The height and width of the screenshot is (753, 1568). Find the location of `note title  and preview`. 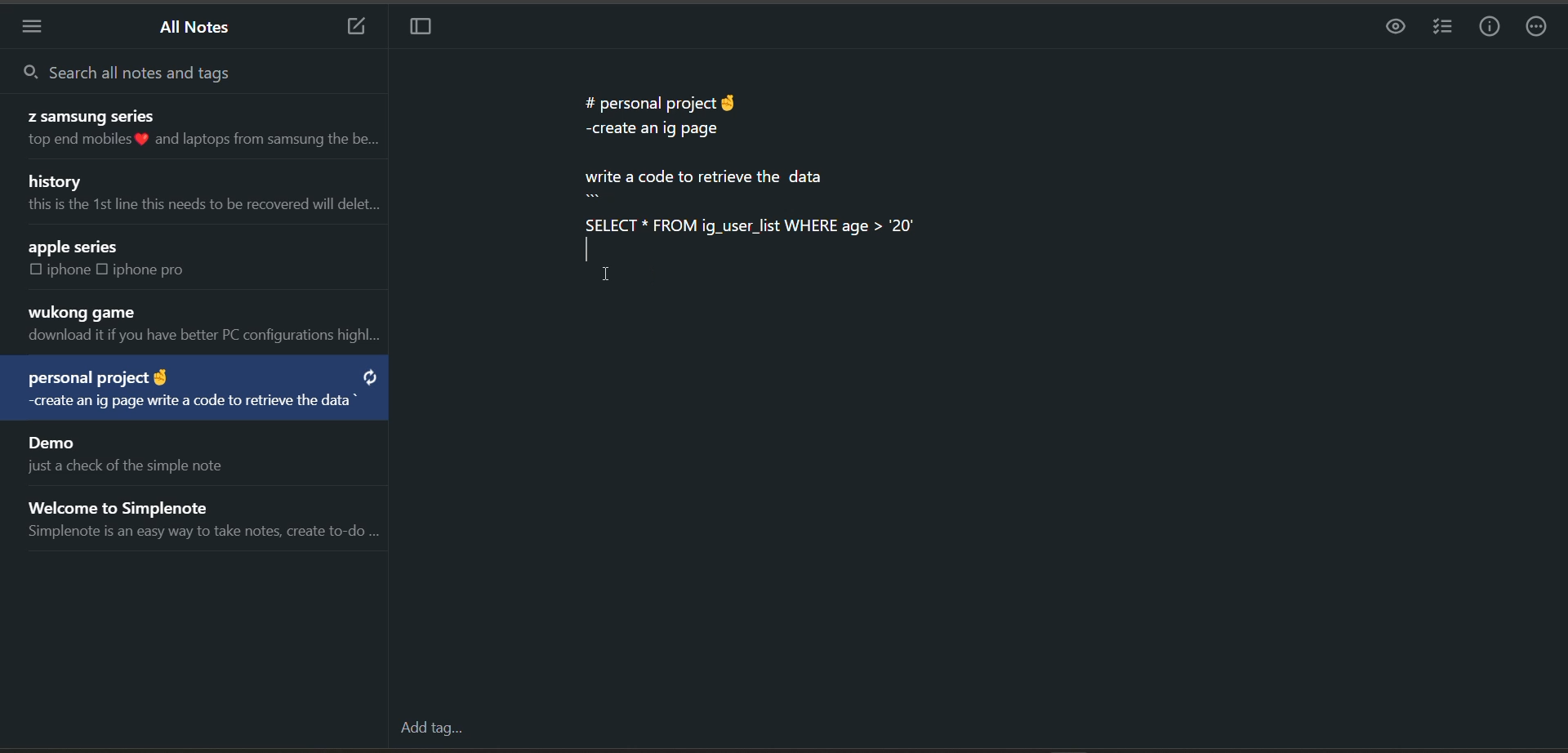

note title  and preview is located at coordinates (201, 195).